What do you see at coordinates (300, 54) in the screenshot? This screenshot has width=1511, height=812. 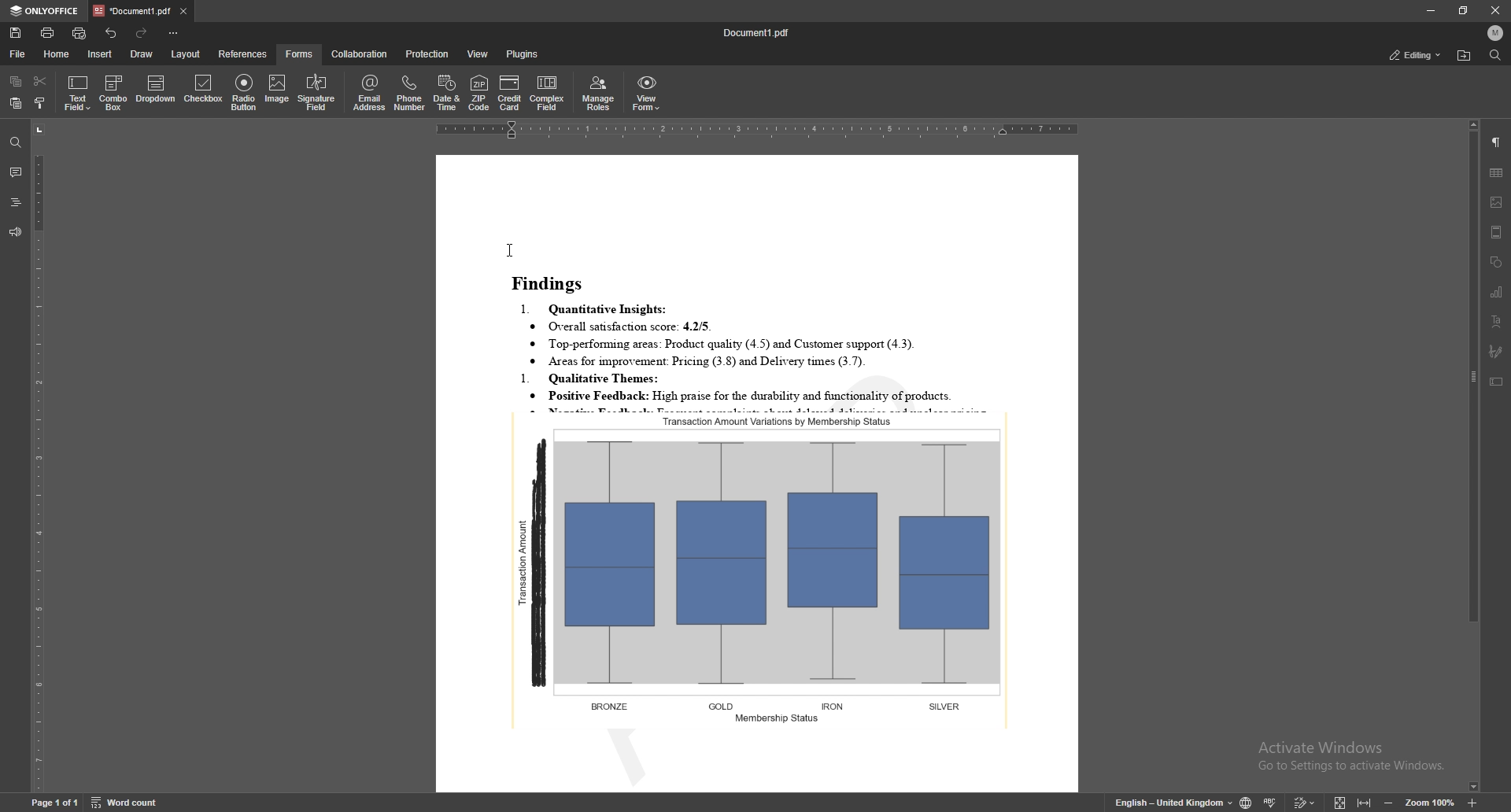 I see `forms` at bounding box center [300, 54].